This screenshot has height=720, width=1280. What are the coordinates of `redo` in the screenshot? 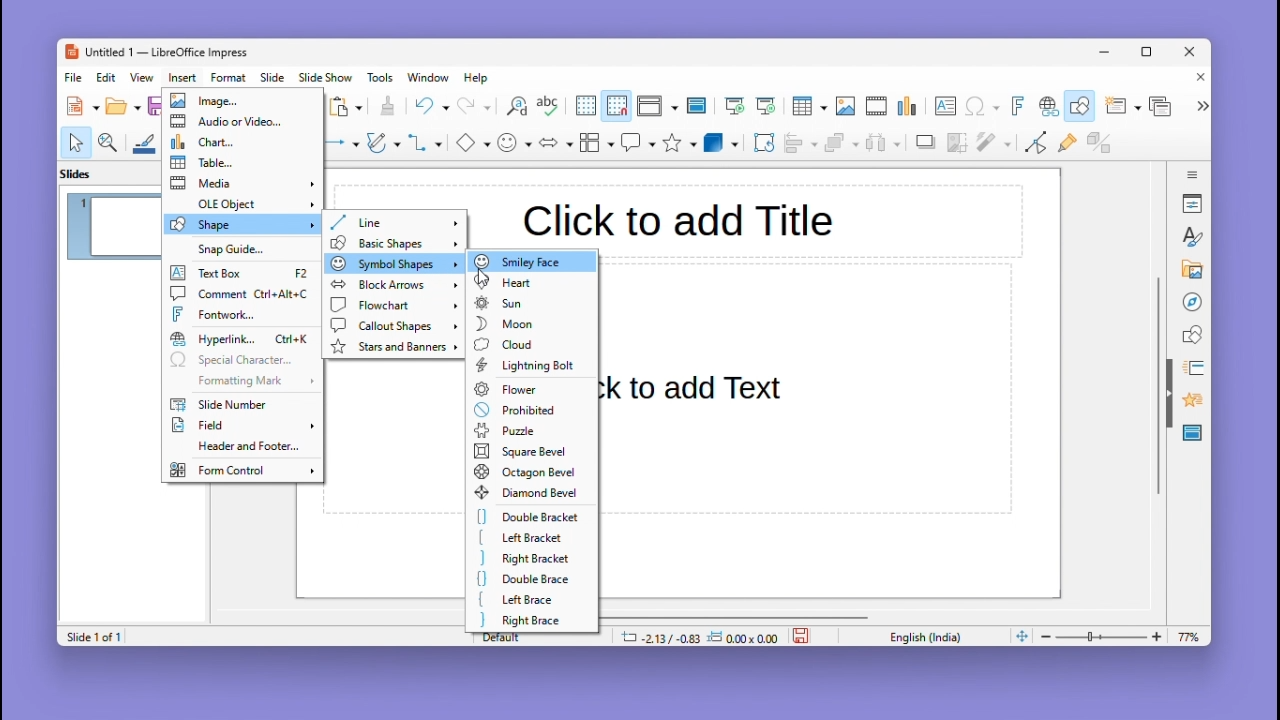 It's located at (475, 107).